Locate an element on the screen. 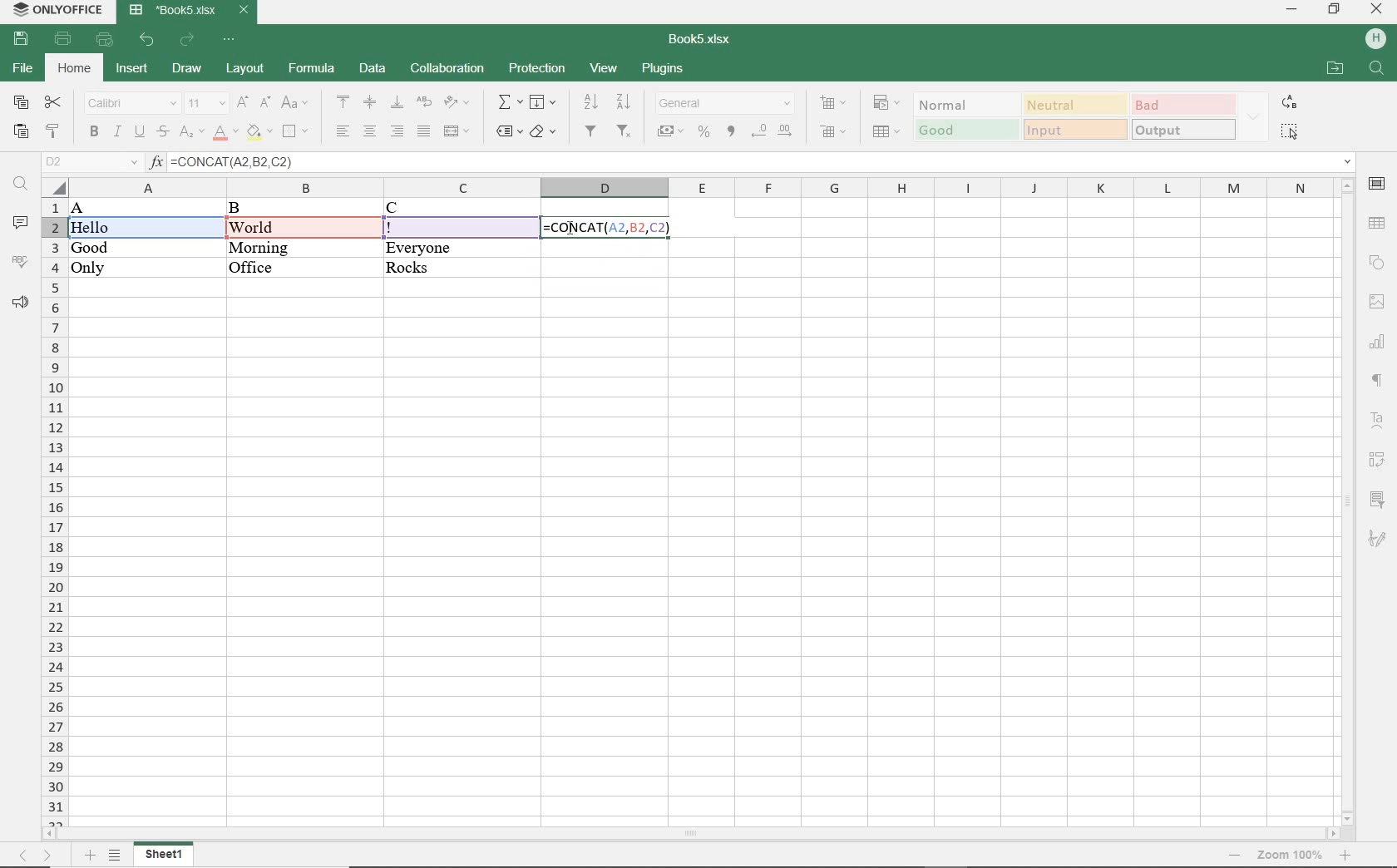  CURSOR is located at coordinates (570, 229).